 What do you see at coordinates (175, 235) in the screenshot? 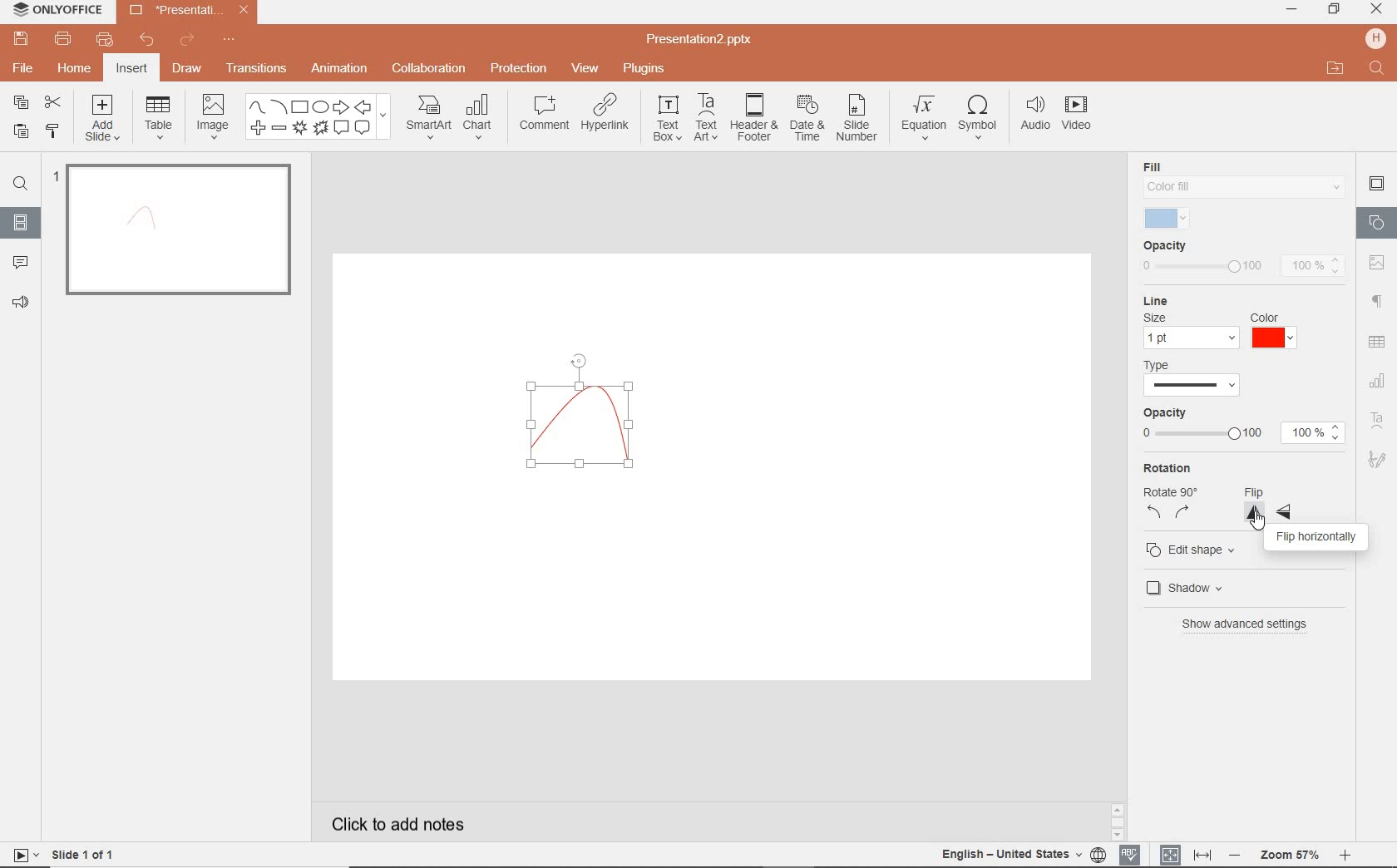
I see `SLIDE1` at bounding box center [175, 235].